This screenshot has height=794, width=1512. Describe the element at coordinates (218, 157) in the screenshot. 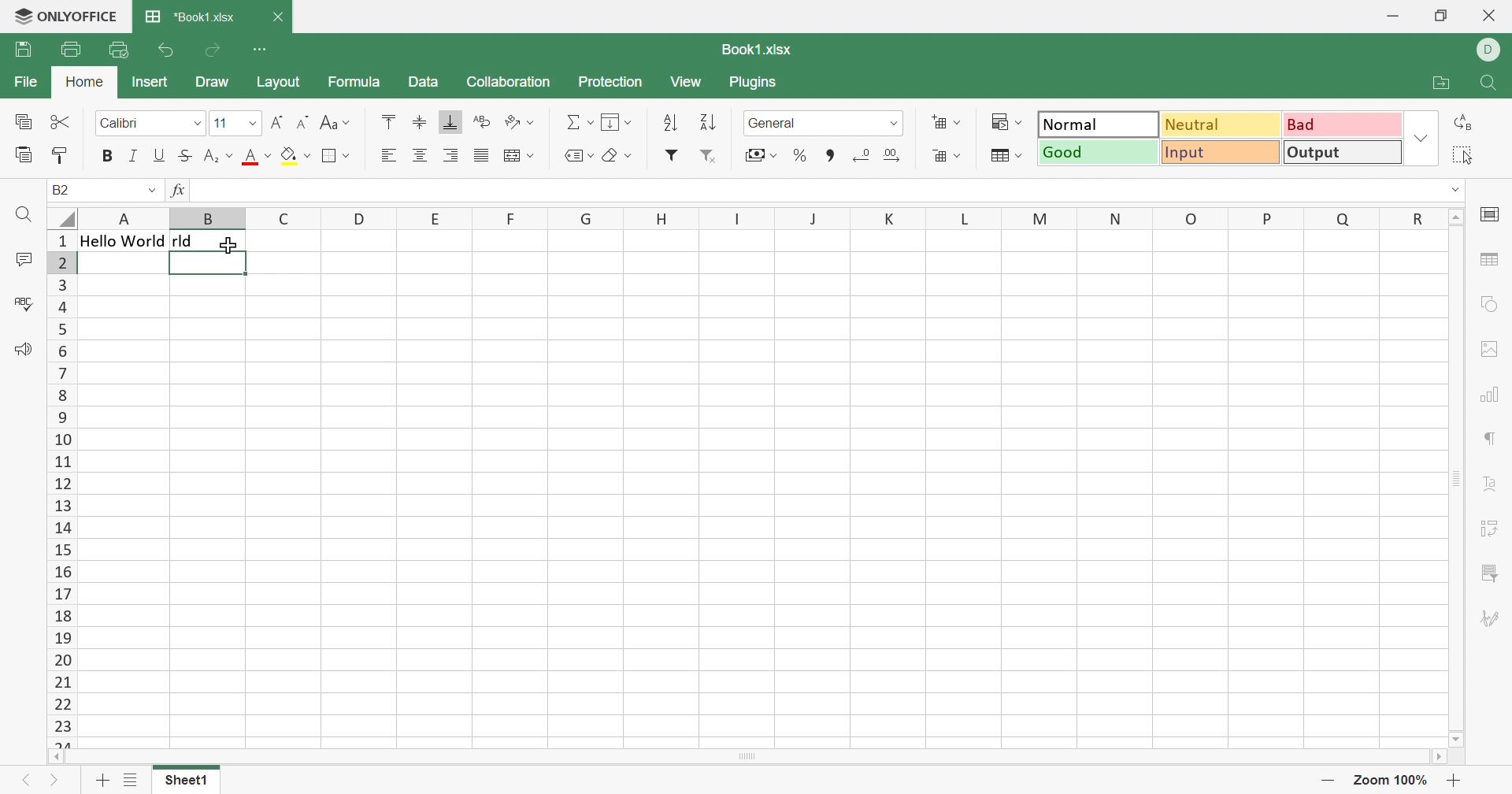

I see `Subscript` at that location.